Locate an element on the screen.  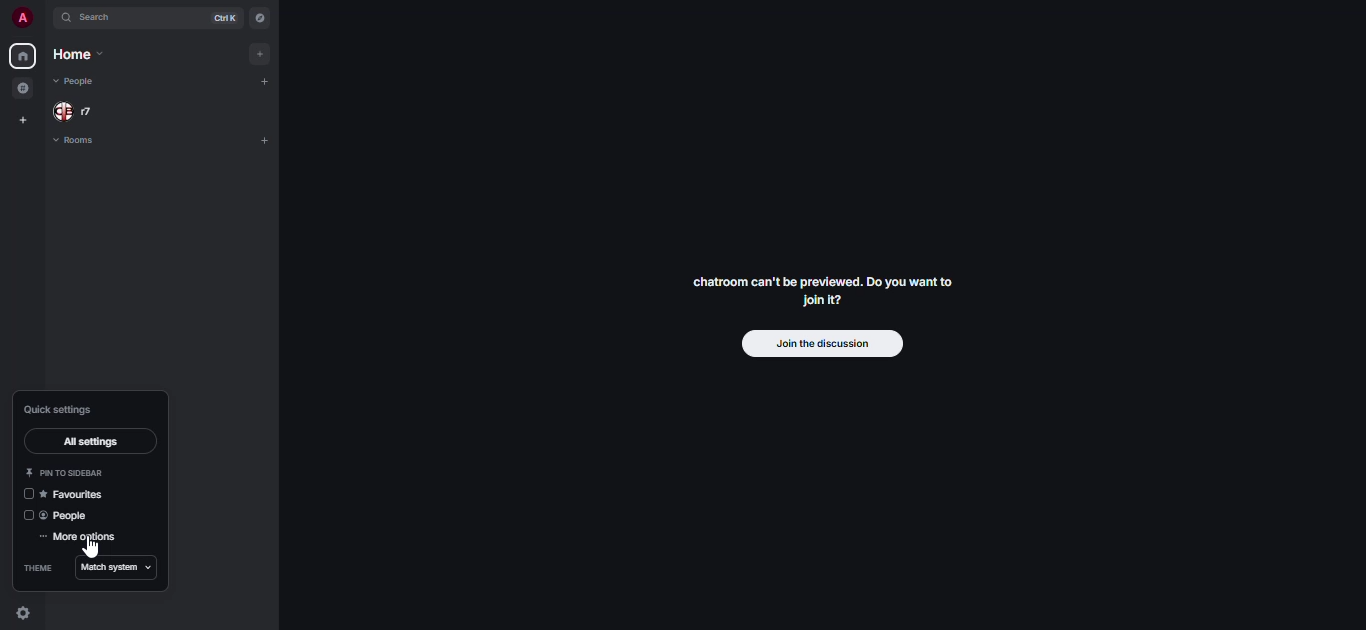
grouped room in space is located at coordinates (23, 88).